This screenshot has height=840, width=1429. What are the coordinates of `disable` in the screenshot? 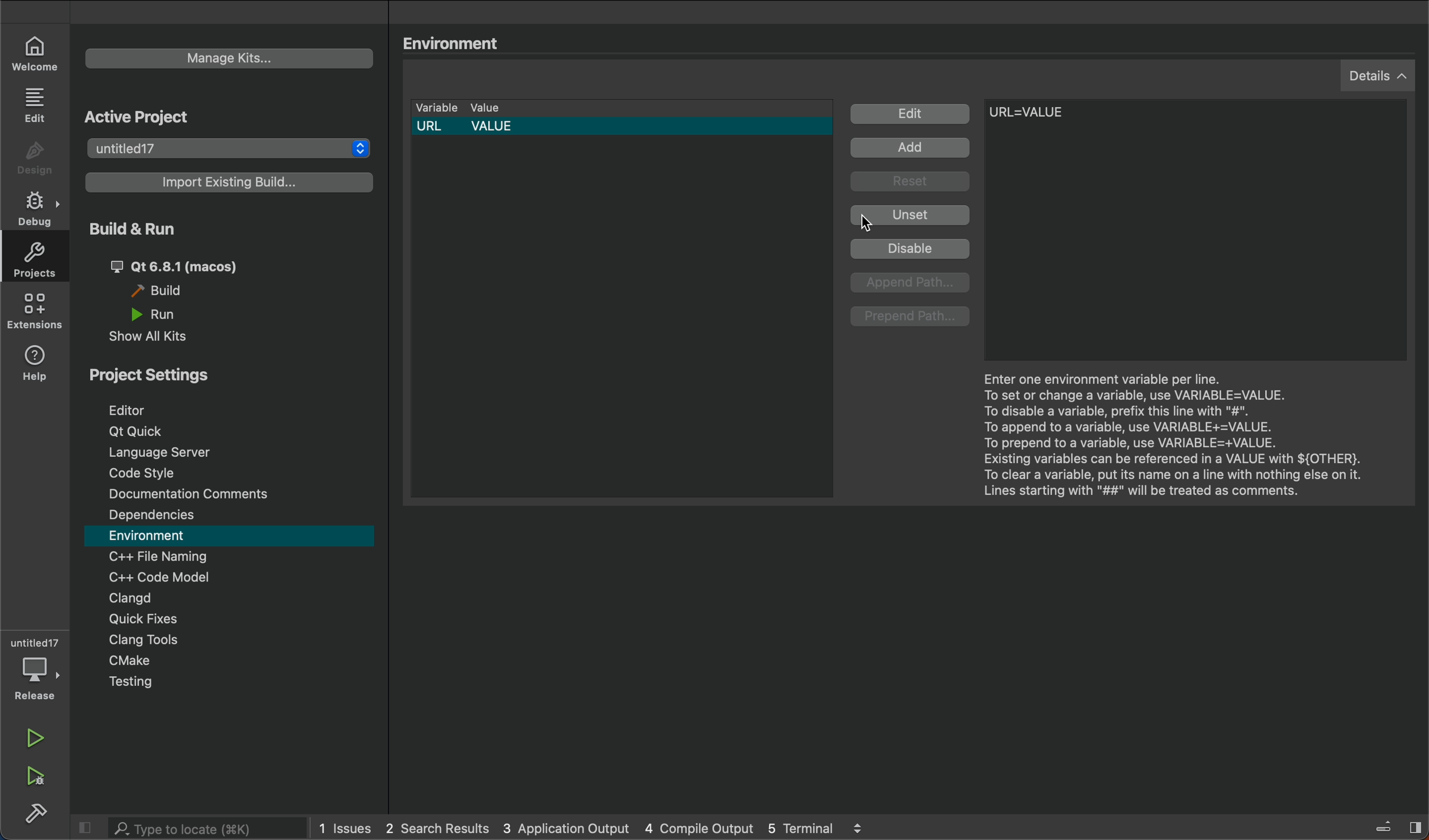 It's located at (911, 249).